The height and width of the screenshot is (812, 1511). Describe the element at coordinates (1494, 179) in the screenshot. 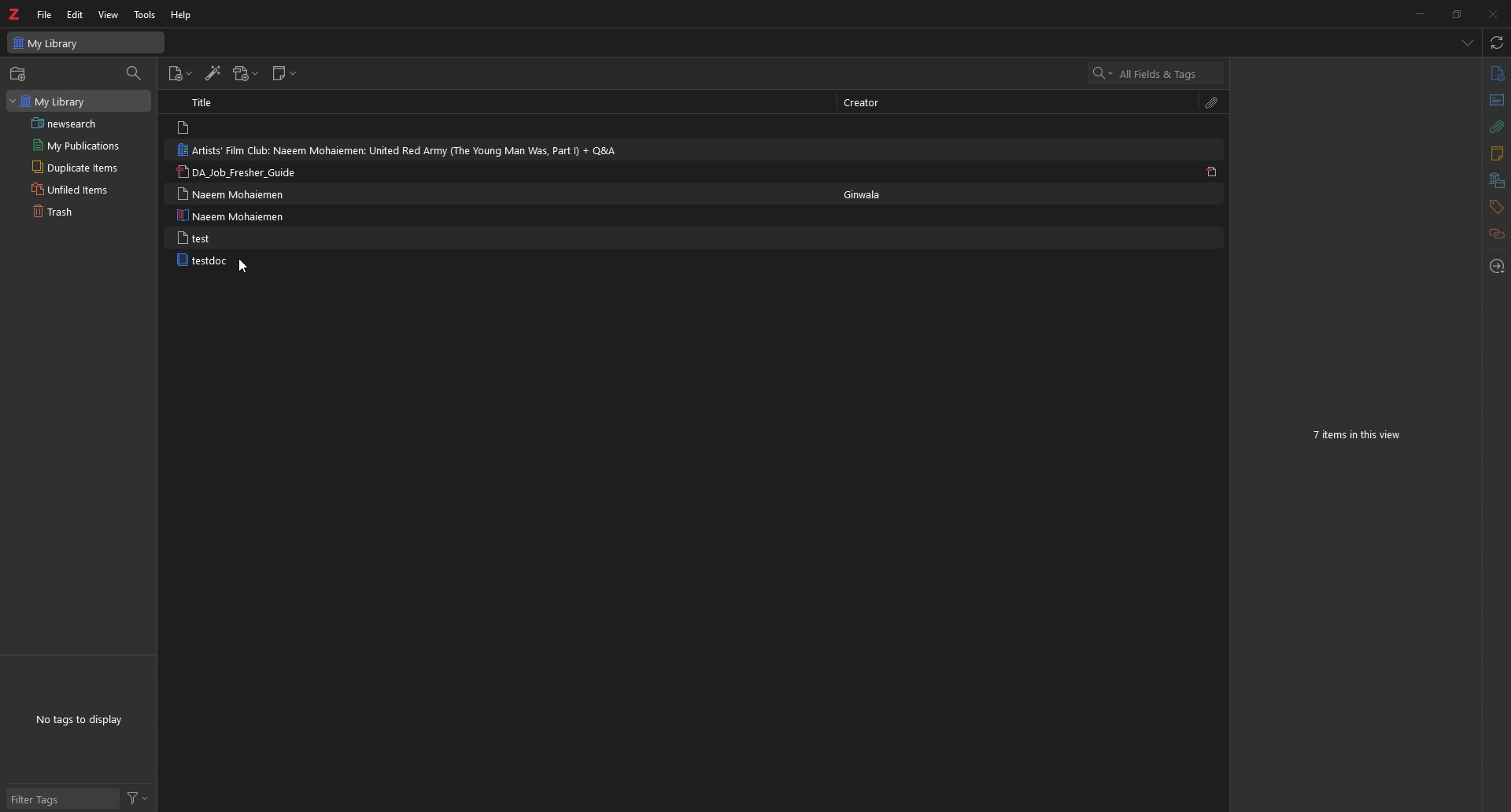

I see `libraries` at that location.